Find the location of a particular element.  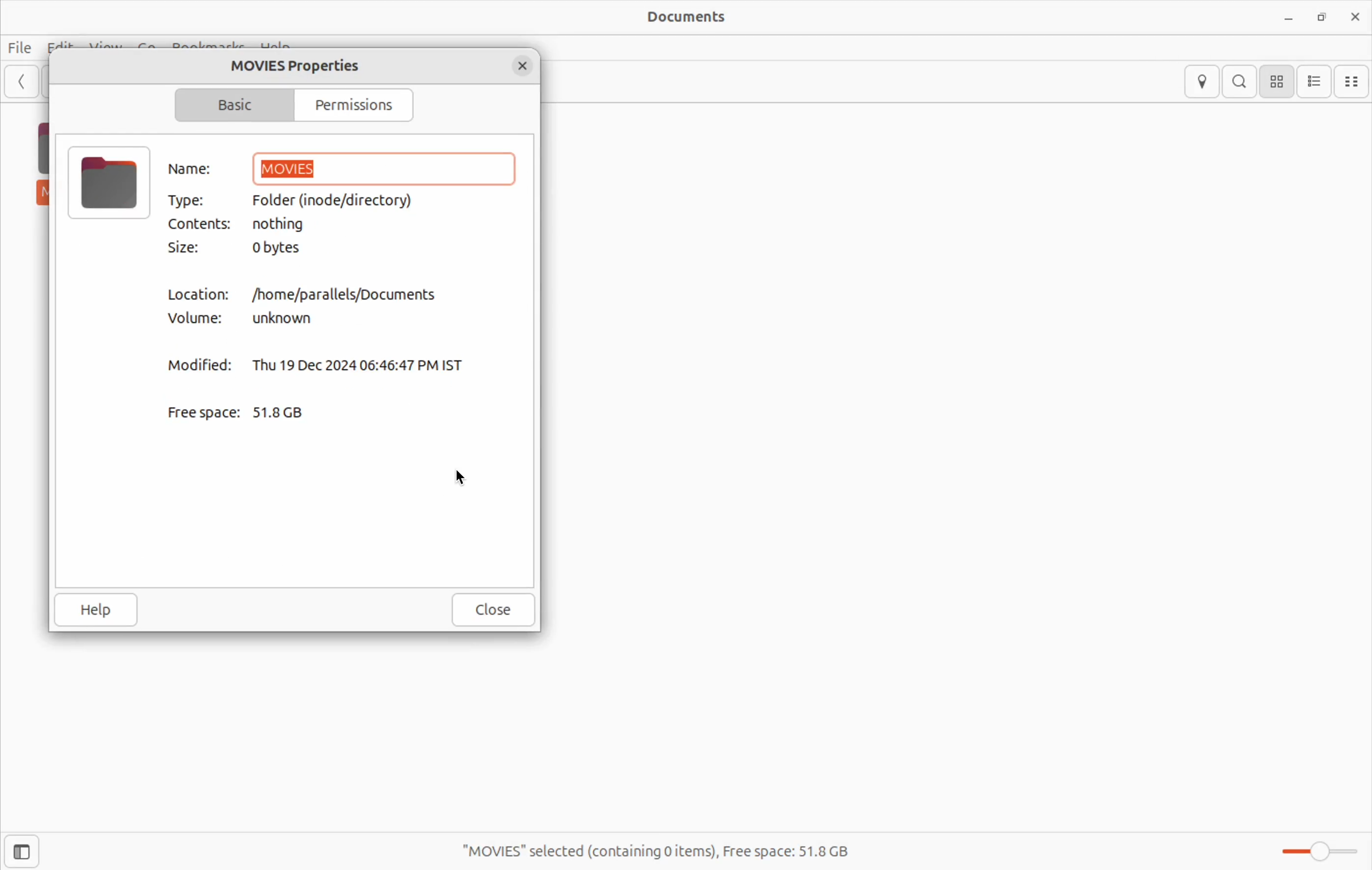

resize is located at coordinates (1324, 18).